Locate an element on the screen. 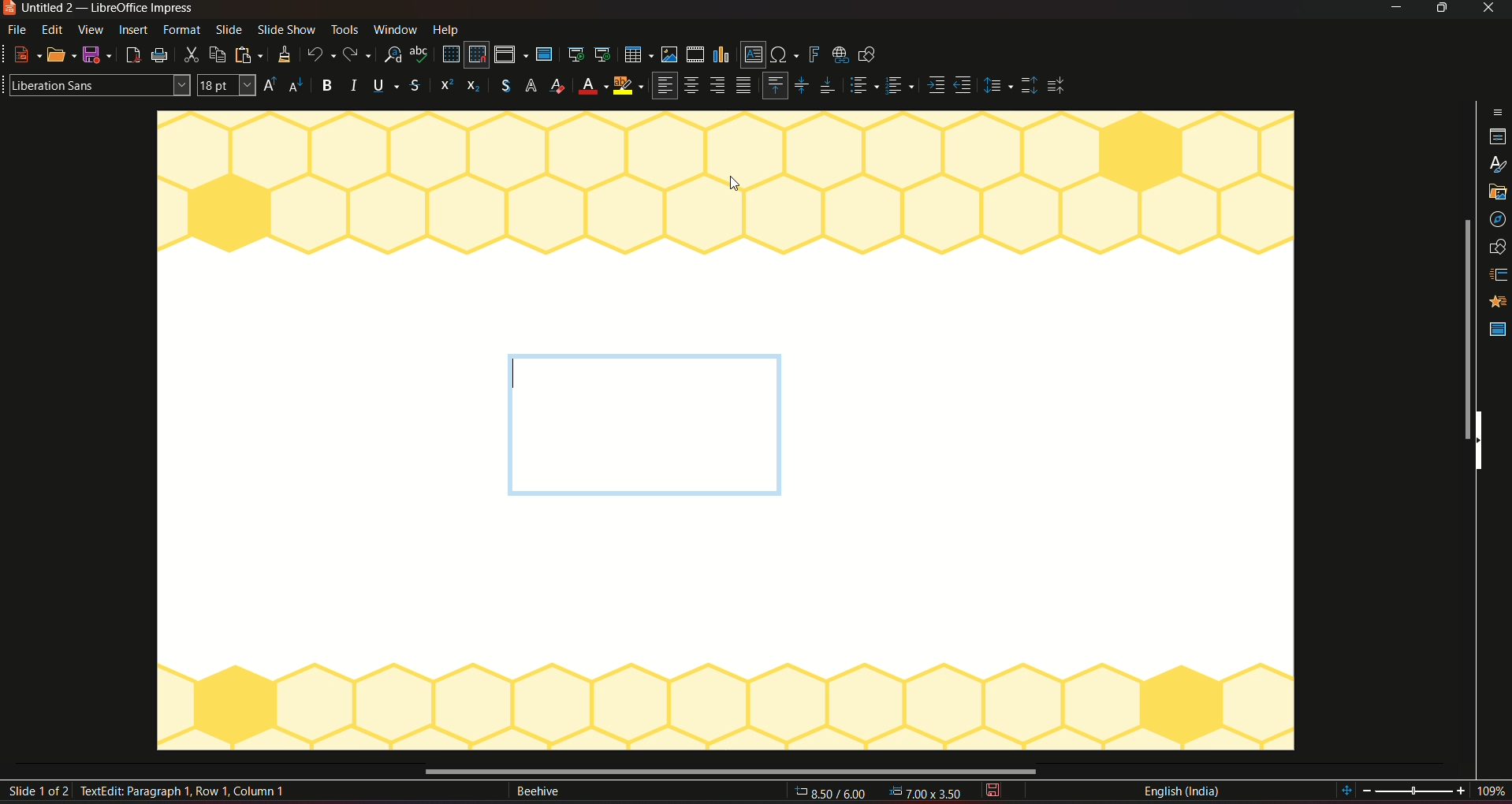 This screenshot has height=804, width=1512. save is located at coordinates (996, 791).